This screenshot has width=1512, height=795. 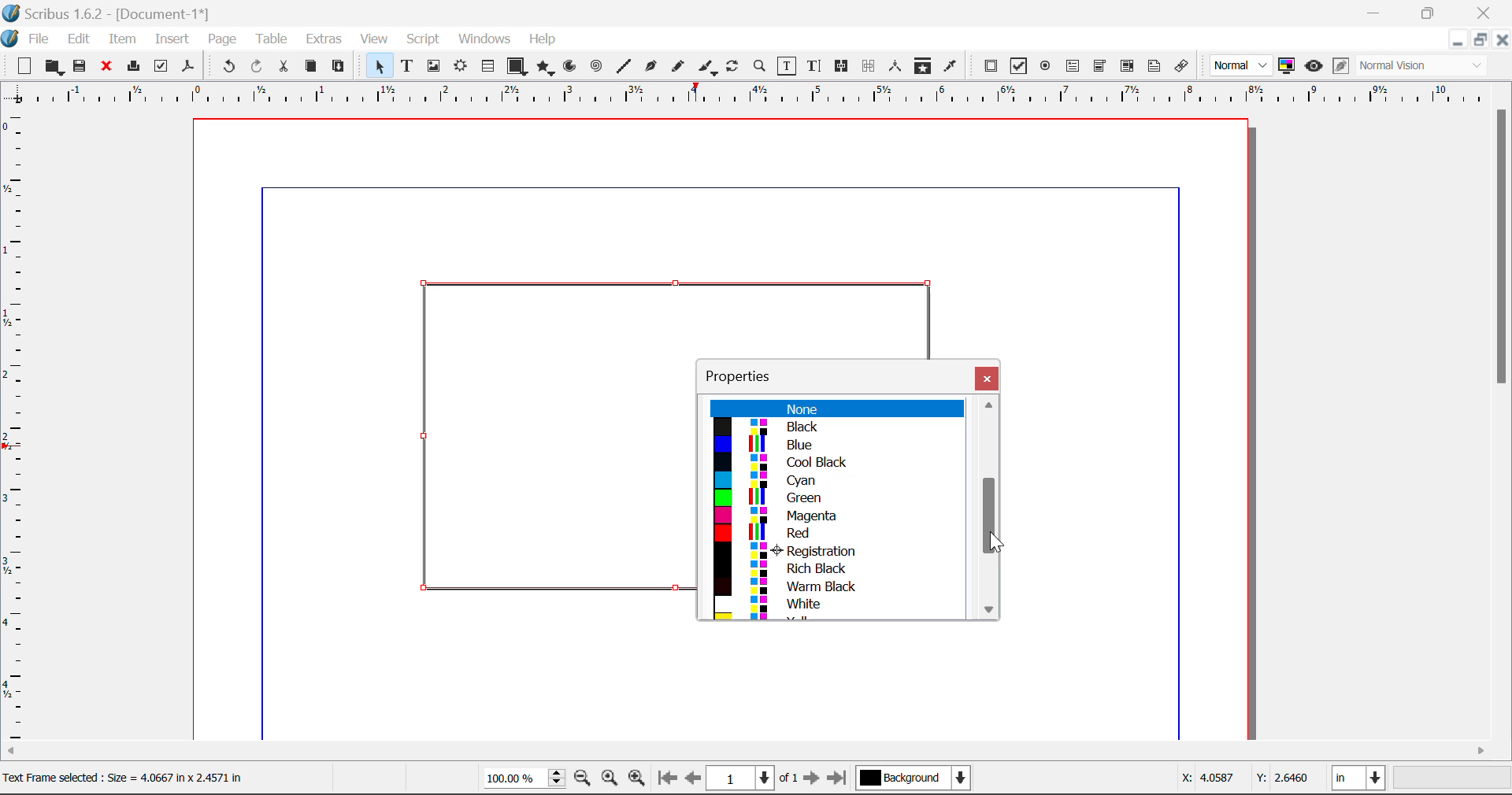 I want to click on Restore Down, so click(x=1377, y=13).